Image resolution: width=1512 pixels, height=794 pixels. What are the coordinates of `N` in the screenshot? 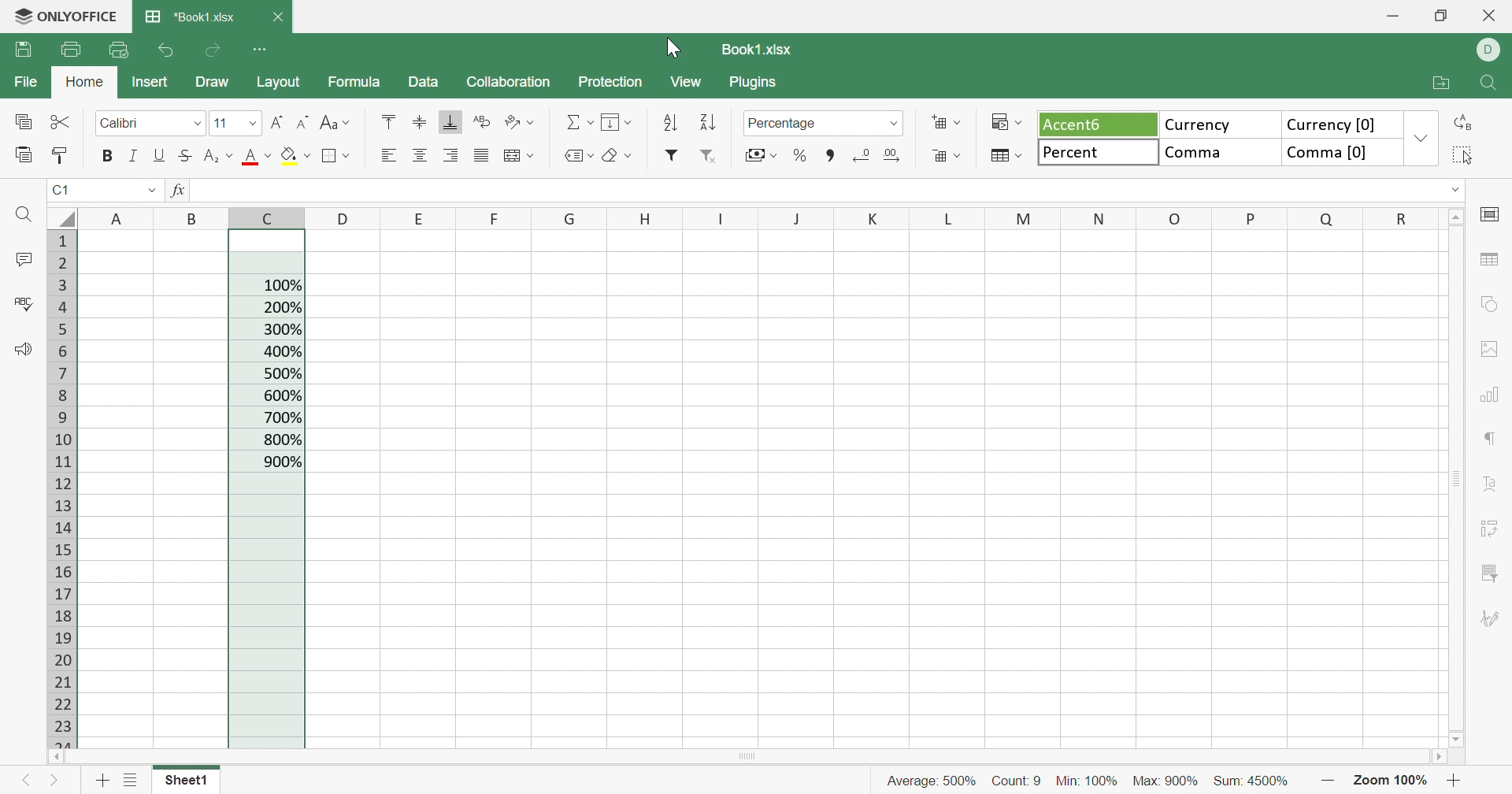 It's located at (1102, 217).